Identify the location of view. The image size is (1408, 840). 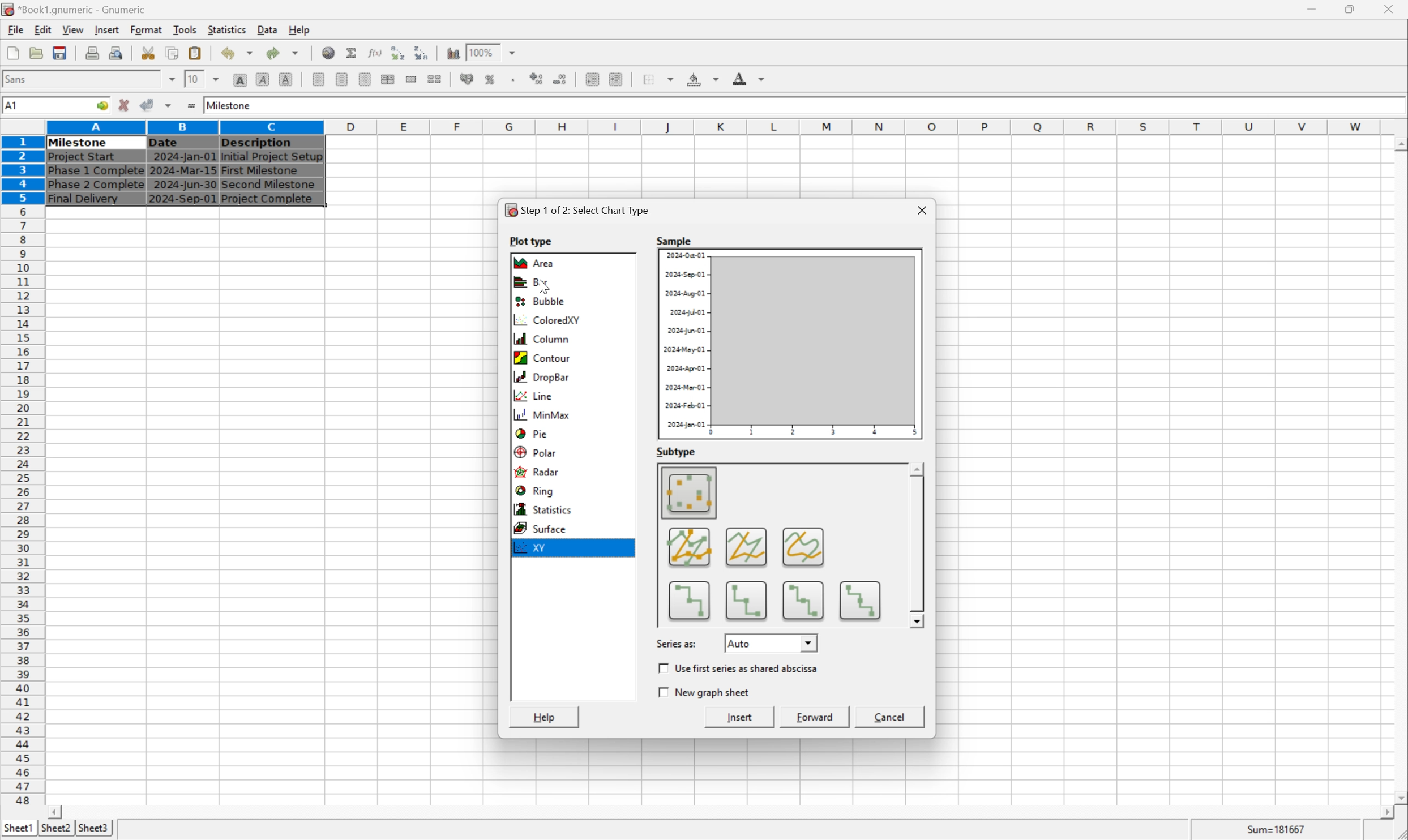
(72, 30).